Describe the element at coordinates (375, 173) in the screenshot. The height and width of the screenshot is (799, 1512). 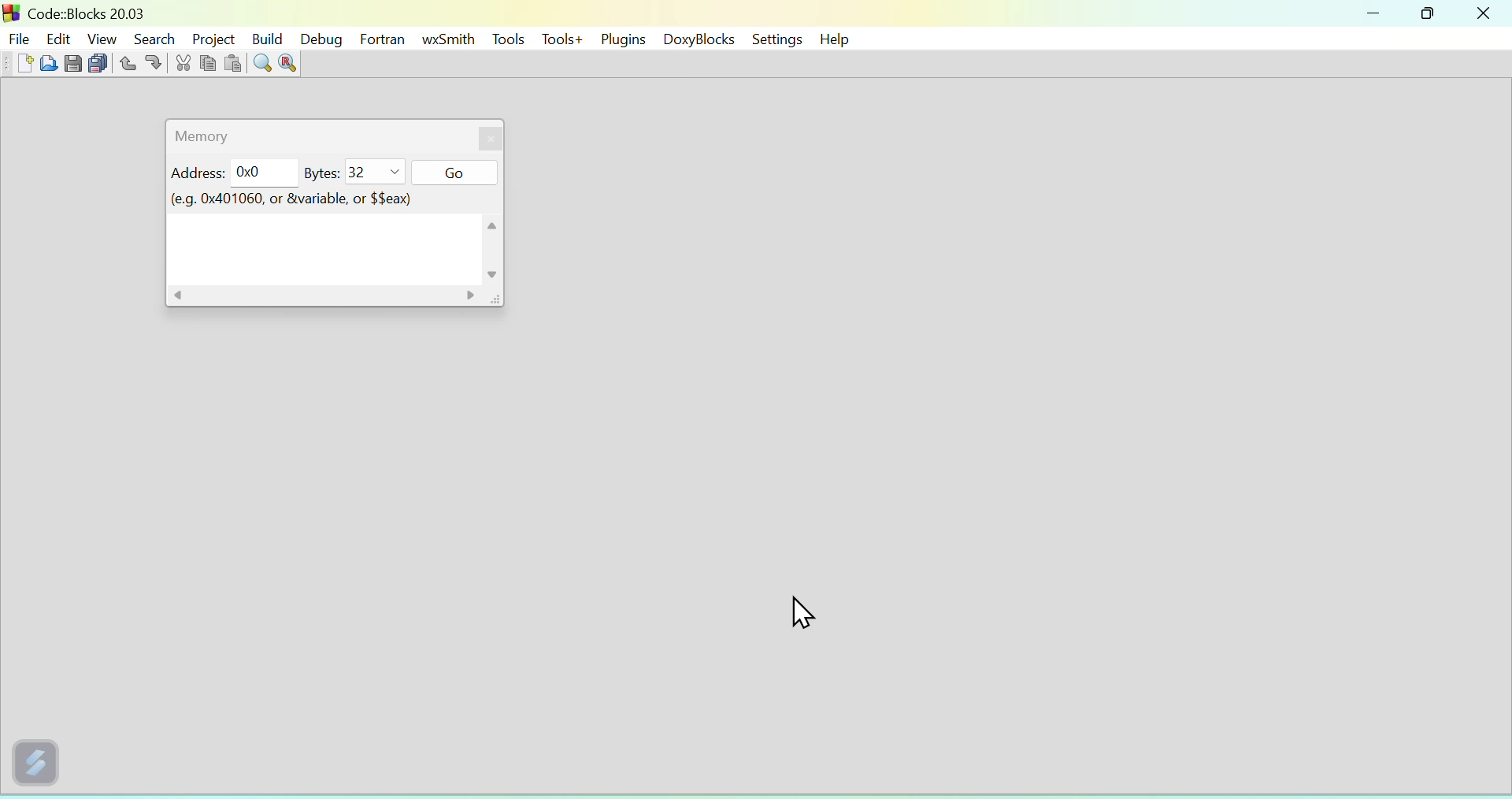
I see `32` at that location.